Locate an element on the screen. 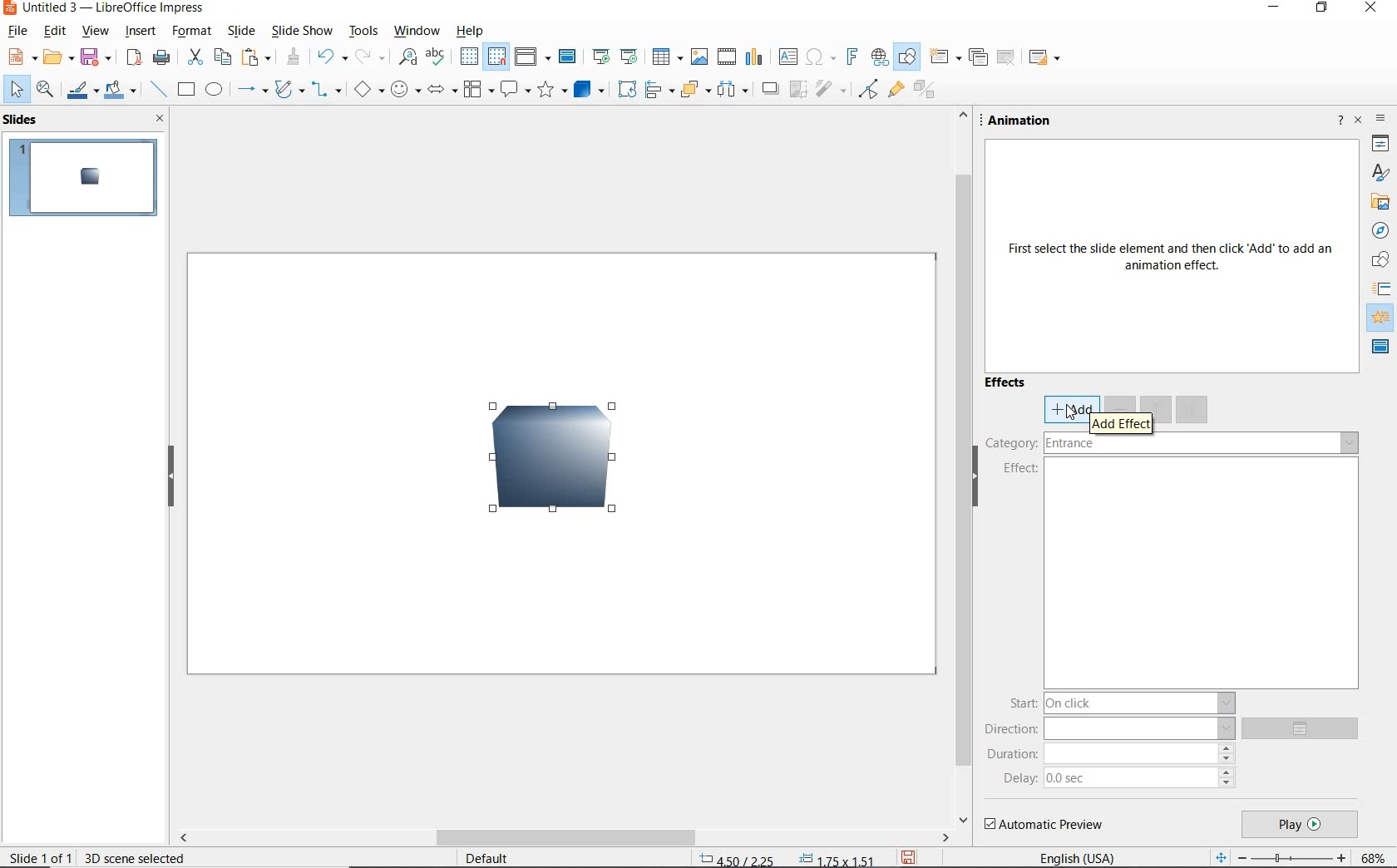 This screenshot has height=868, width=1397. scrollbar is located at coordinates (564, 839).